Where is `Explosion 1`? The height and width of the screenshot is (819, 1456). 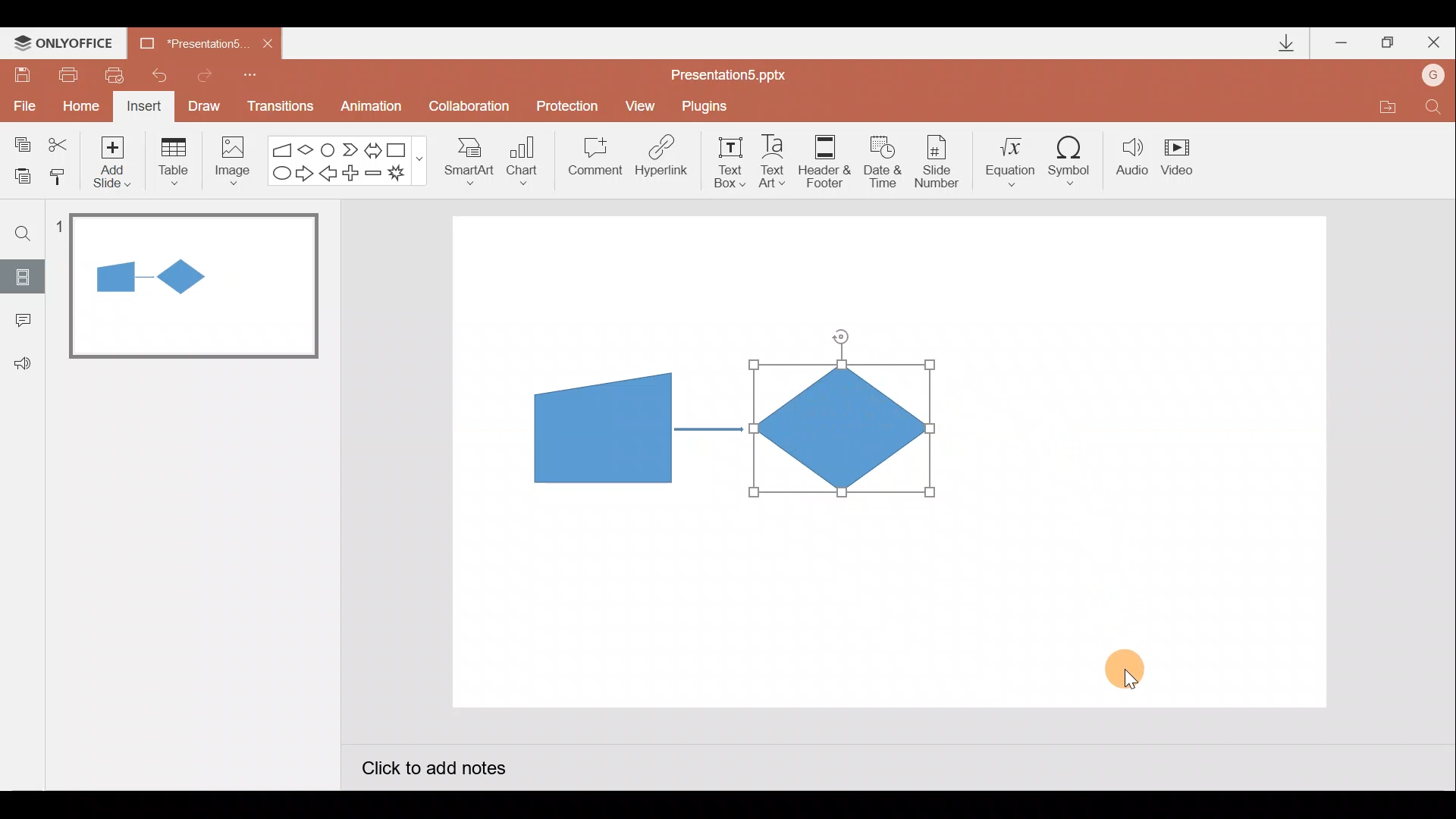 Explosion 1 is located at coordinates (406, 175).